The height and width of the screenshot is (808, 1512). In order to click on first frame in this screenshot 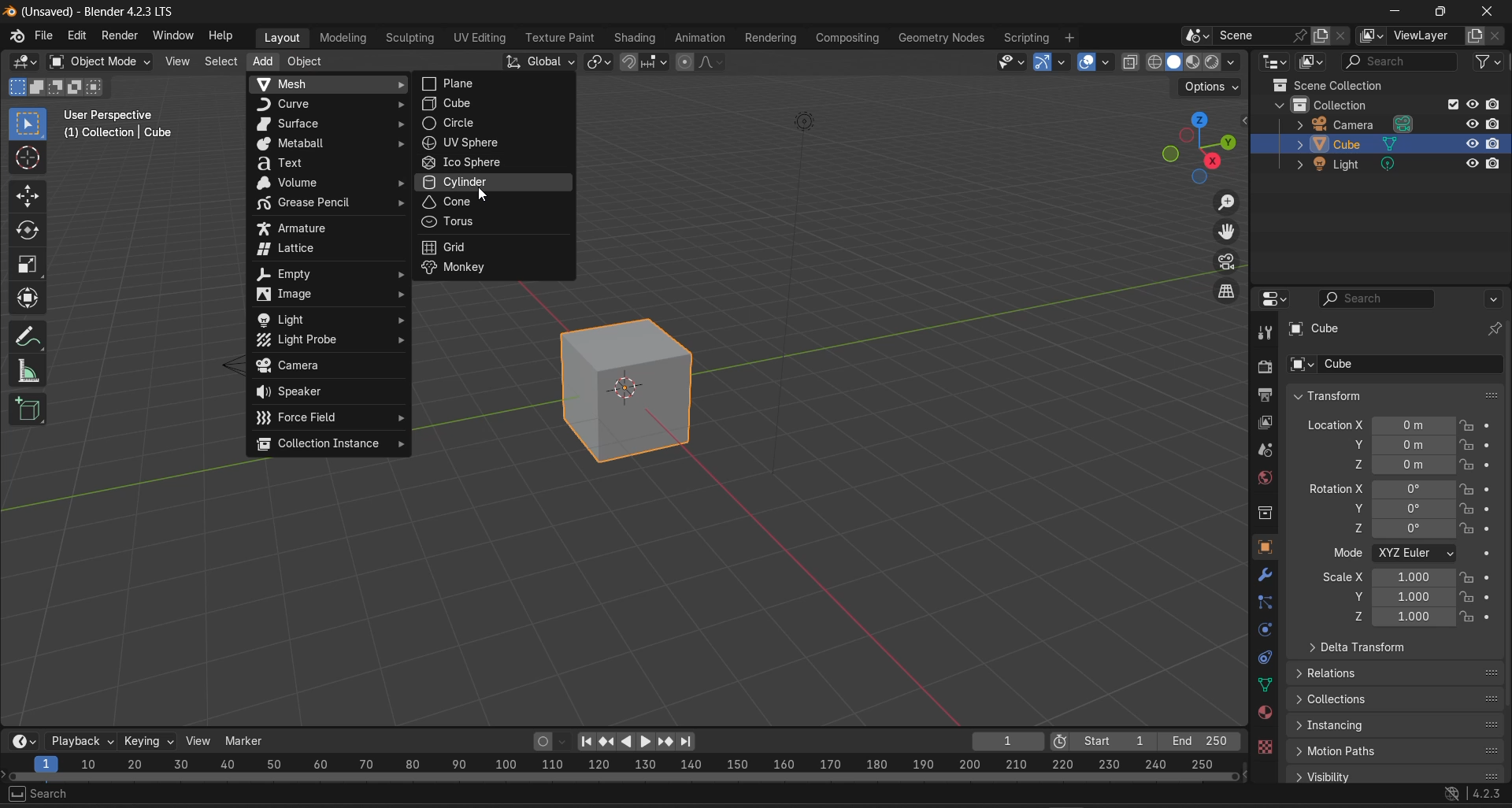, I will do `click(1118, 739)`.